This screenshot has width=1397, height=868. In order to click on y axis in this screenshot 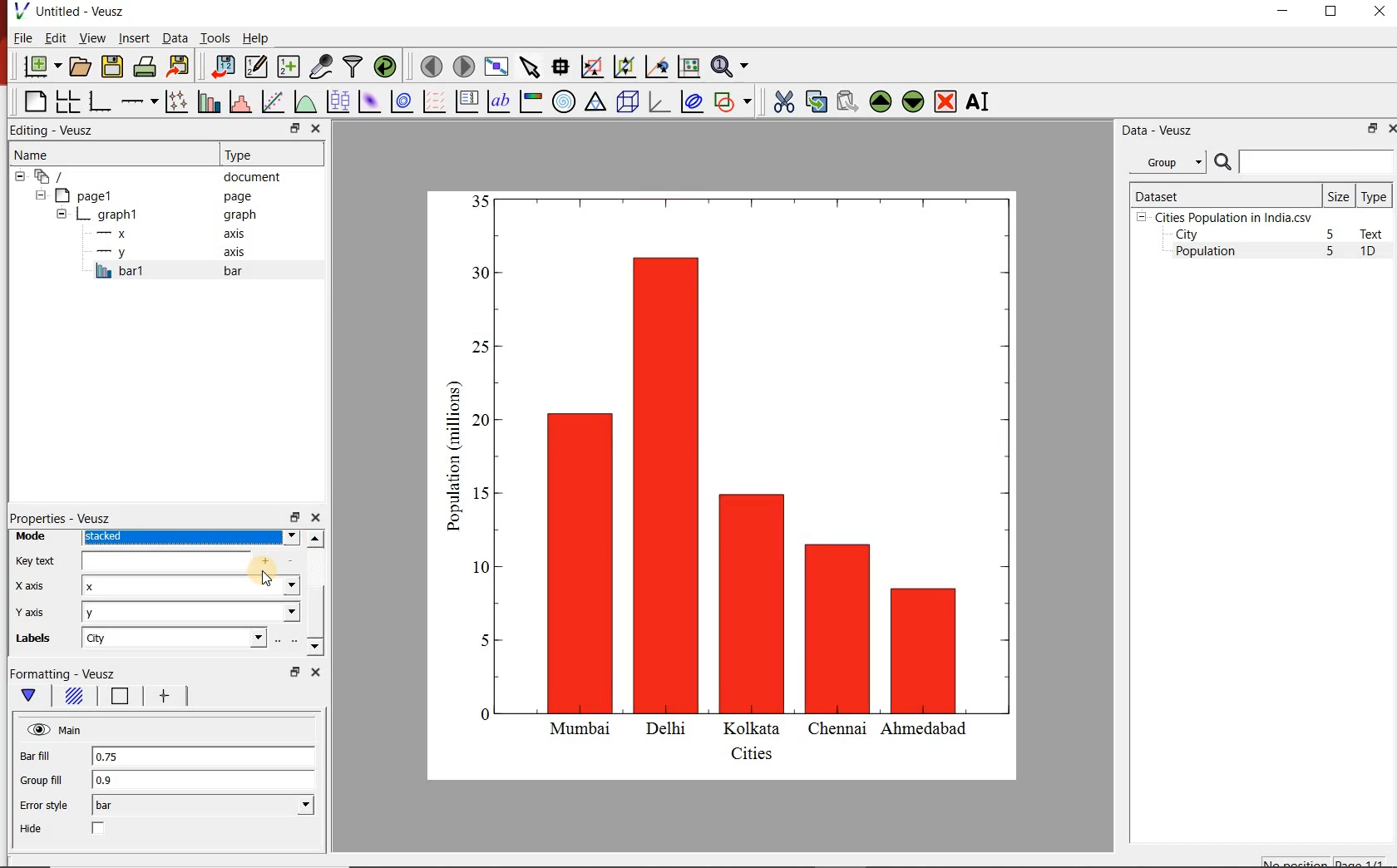, I will do `click(174, 253)`.